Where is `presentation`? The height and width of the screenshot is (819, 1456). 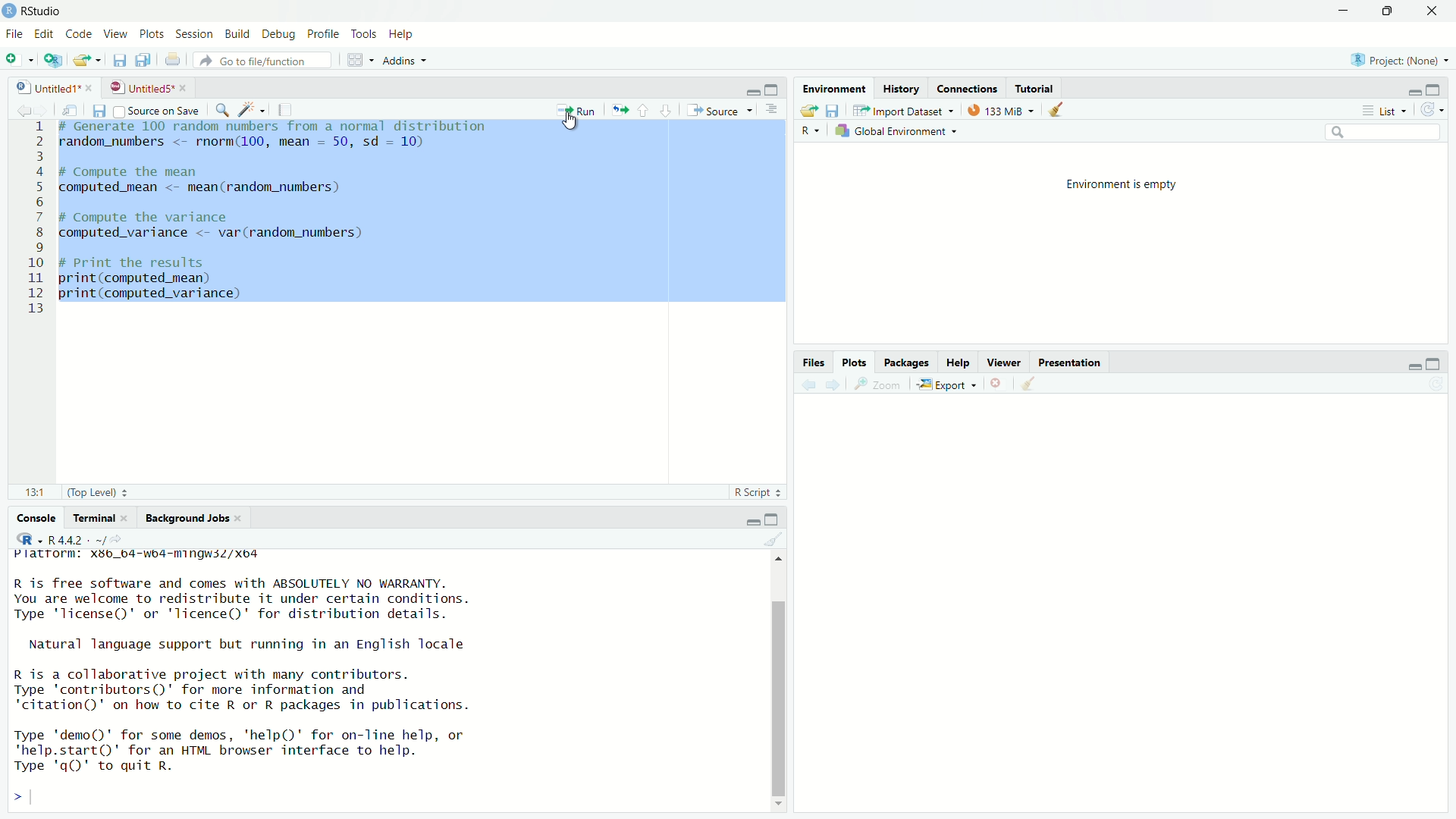
presentation is located at coordinates (1073, 361).